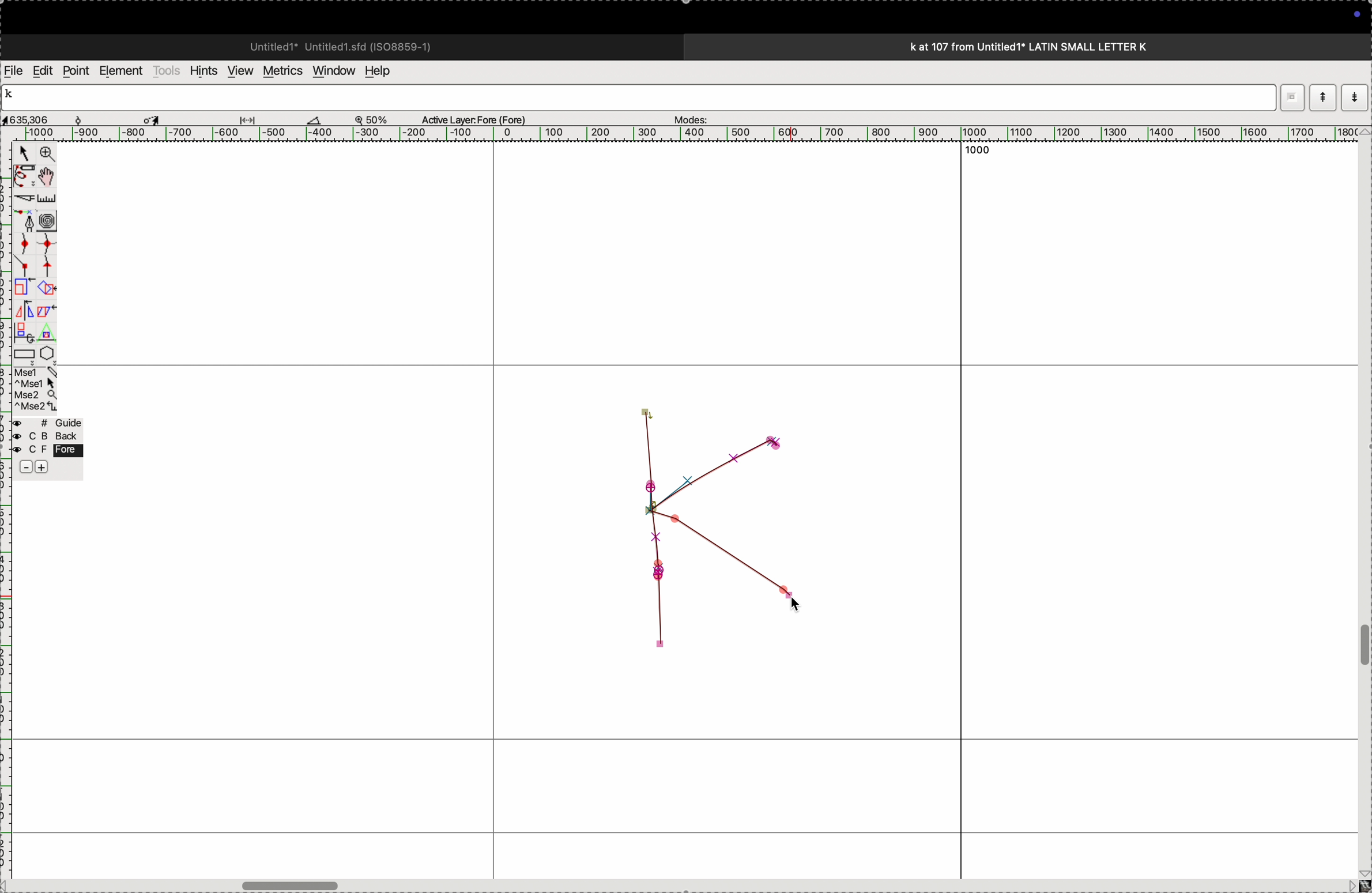 This screenshot has height=893, width=1372. What do you see at coordinates (293, 884) in the screenshot?
I see `toggle screen` at bounding box center [293, 884].